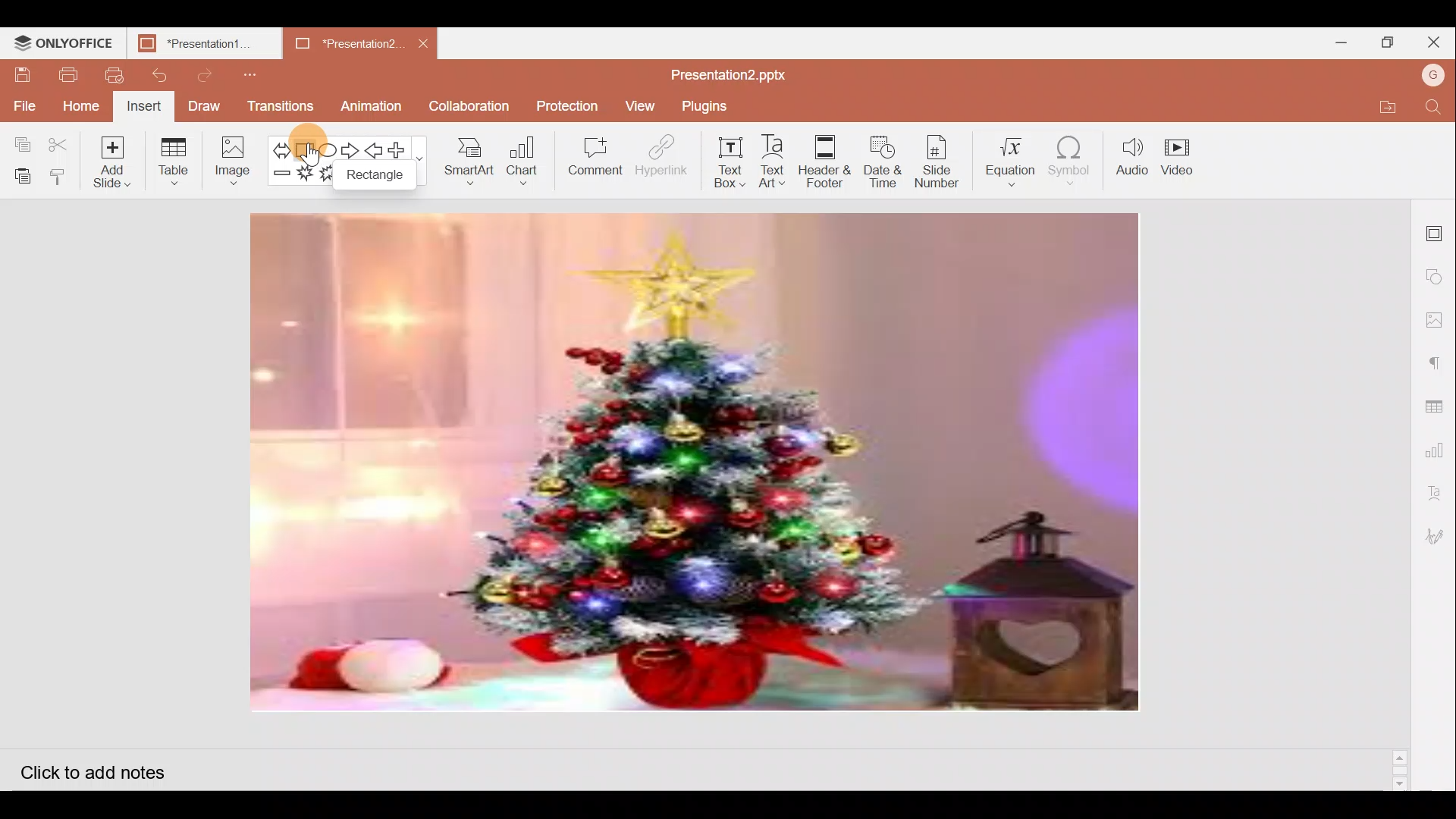  I want to click on Chart, so click(520, 164).